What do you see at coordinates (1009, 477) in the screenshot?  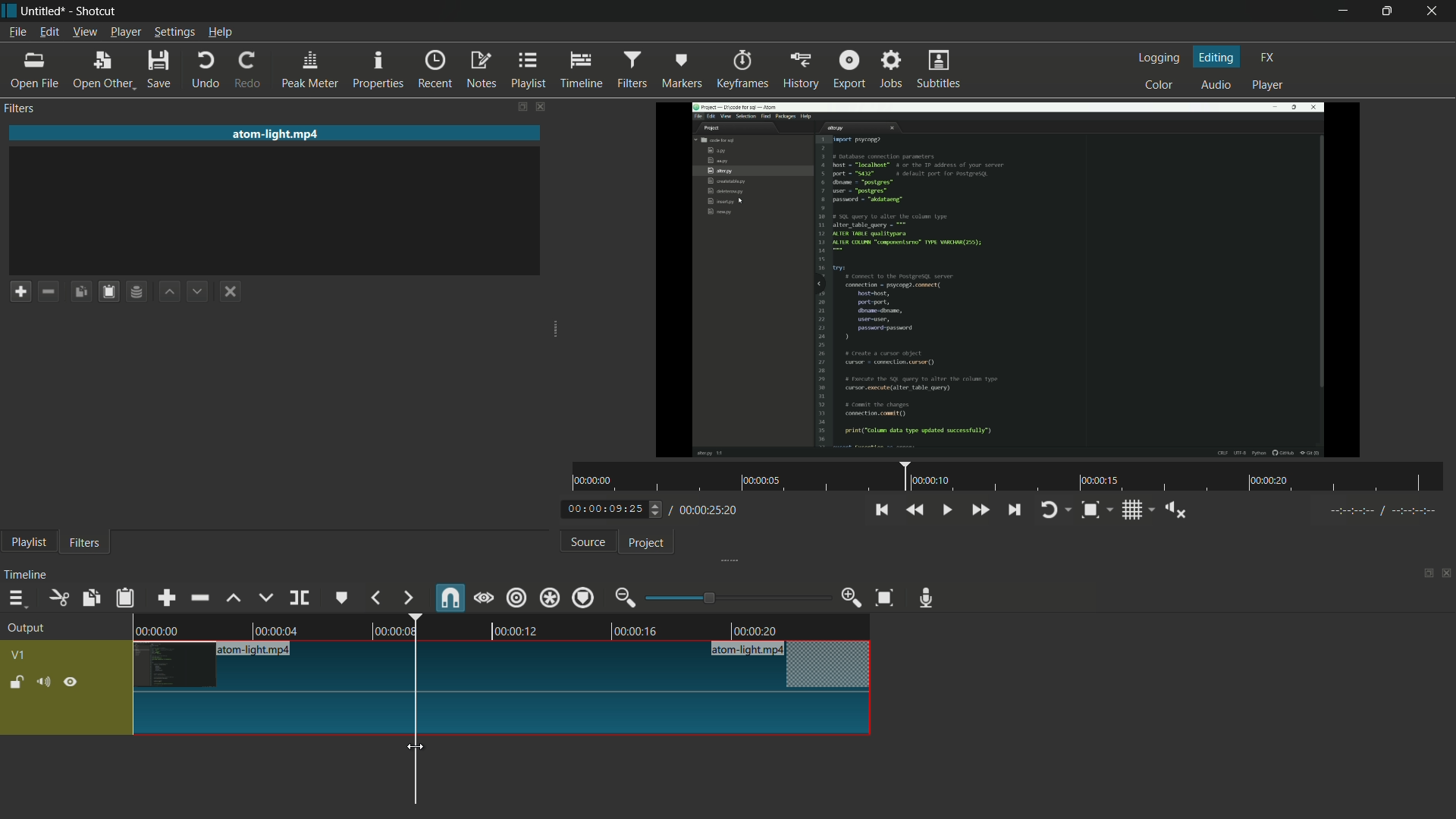 I see `time` at bounding box center [1009, 477].